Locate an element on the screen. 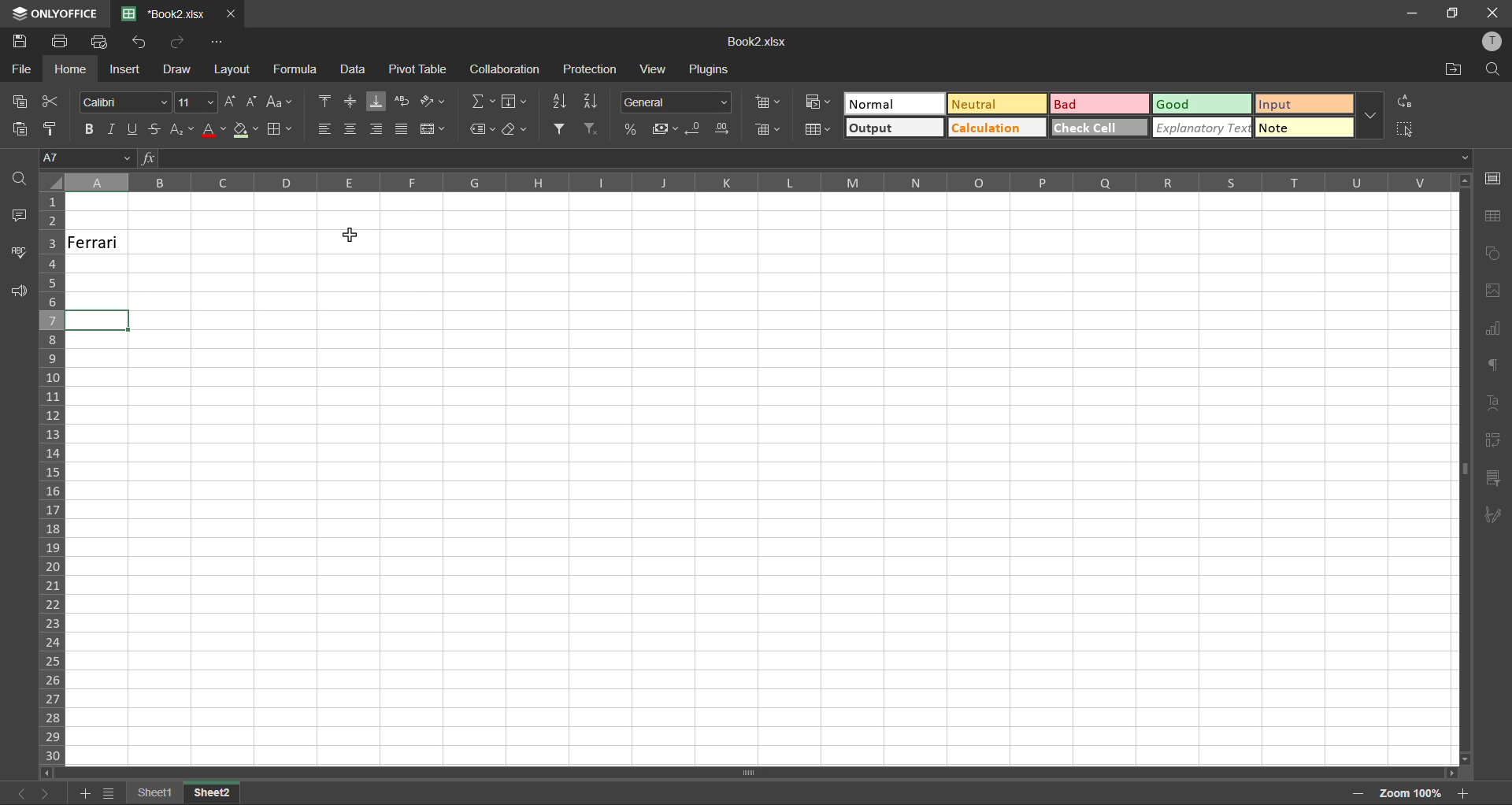 This screenshot has height=805, width=1512. calculation is located at coordinates (996, 129).